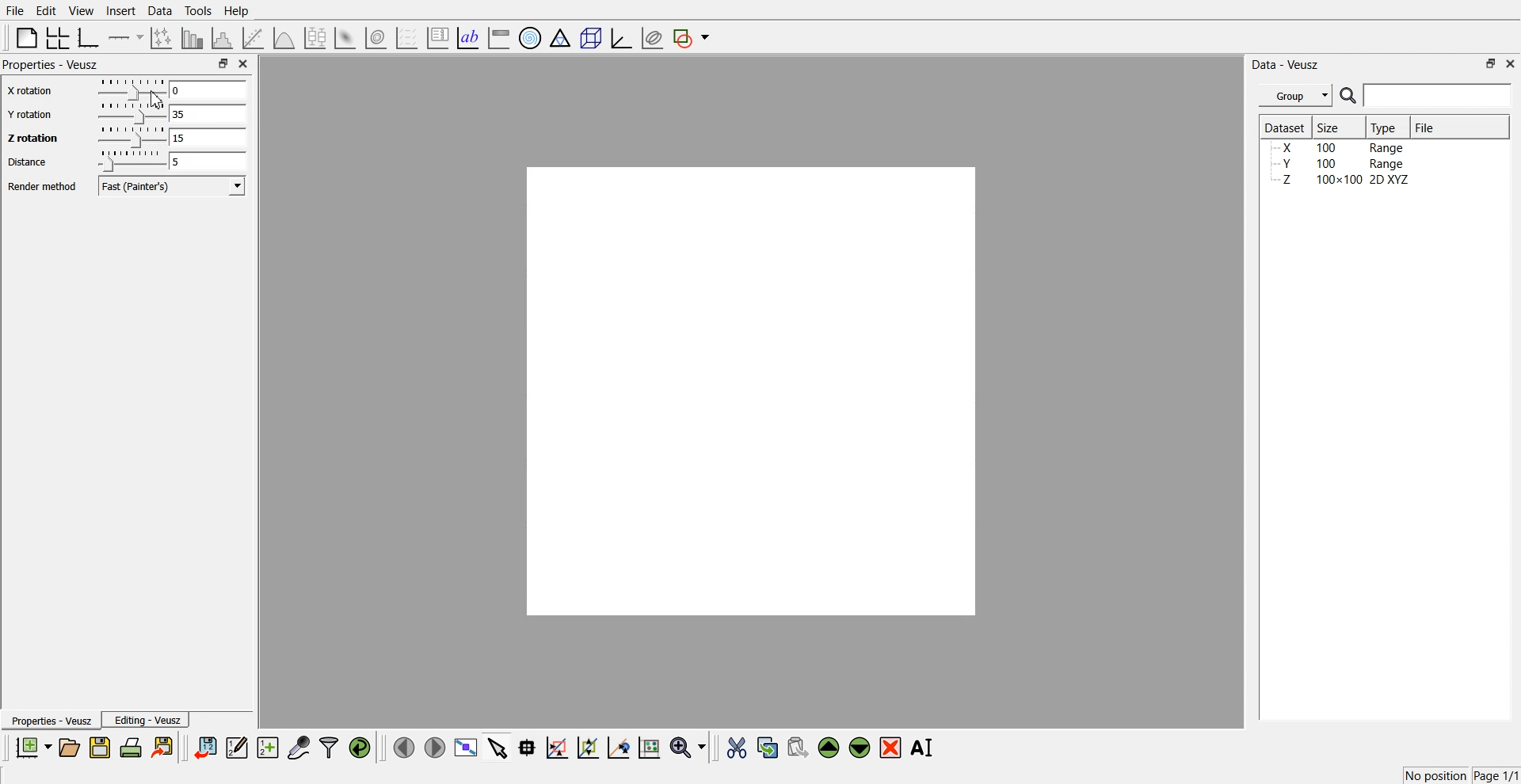  What do you see at coordinates (1491, 63) in the screenshot?
I see `Maximize` at bounding box center [1491, 63].